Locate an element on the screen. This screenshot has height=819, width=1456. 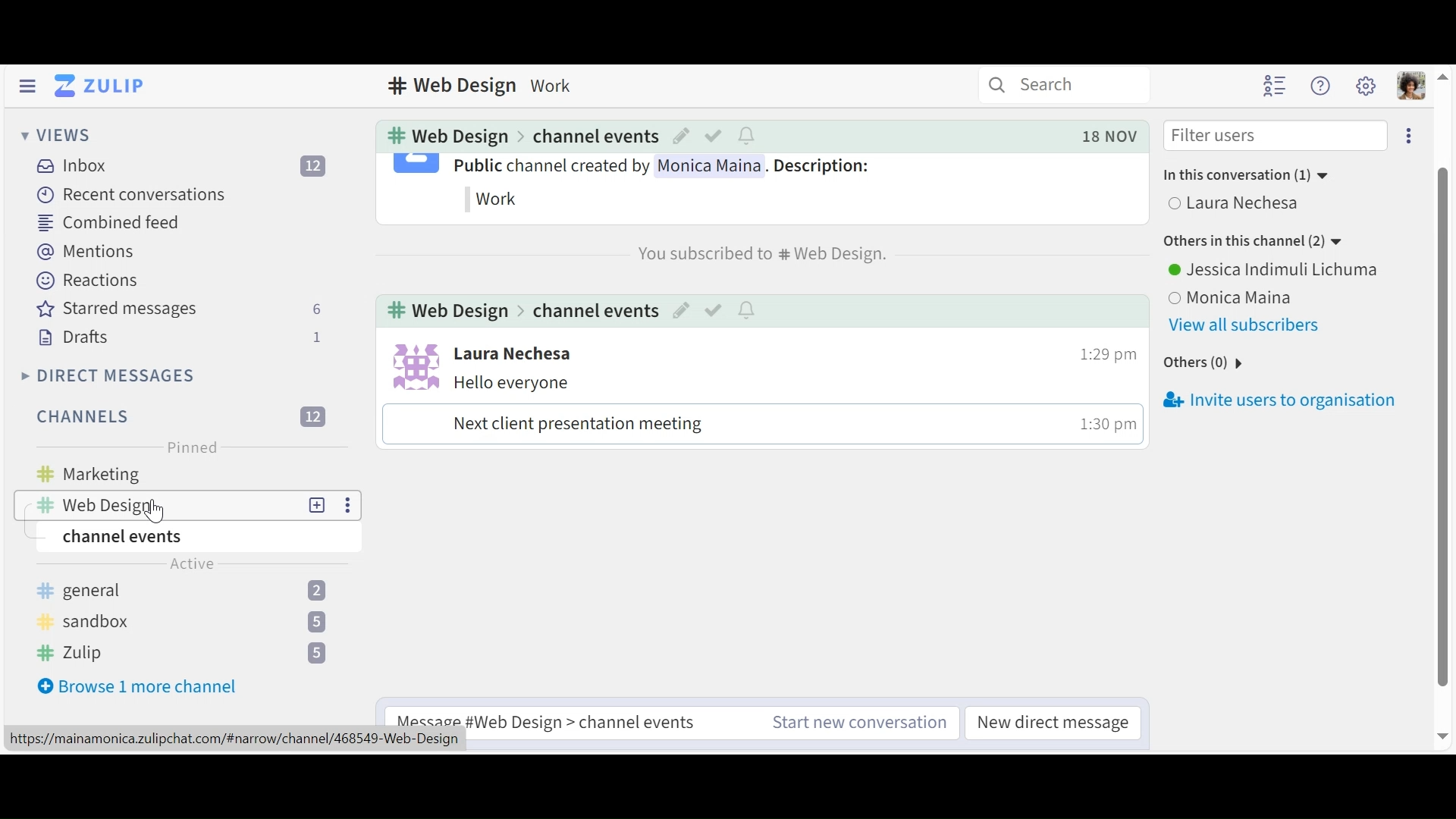
Views is located at coordinates (54, 136).